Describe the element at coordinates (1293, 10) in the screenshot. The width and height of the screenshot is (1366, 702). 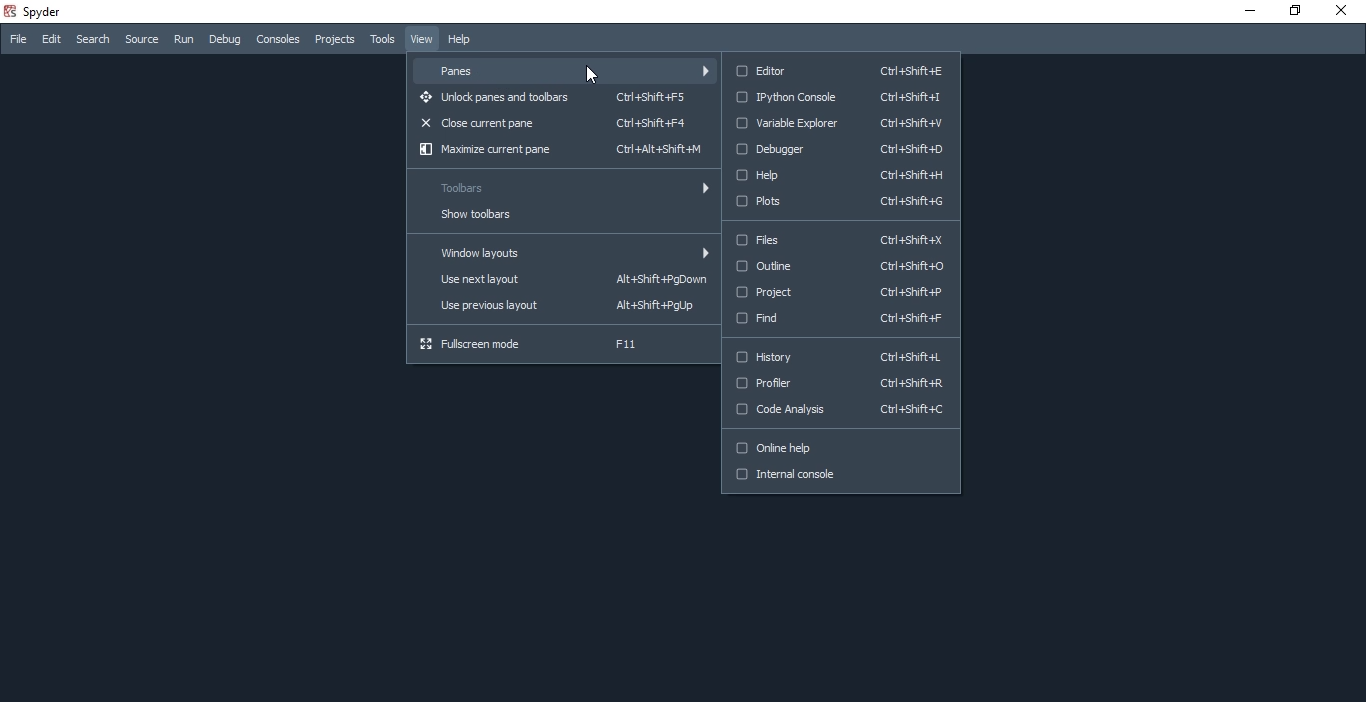
I see `restore` at that location.